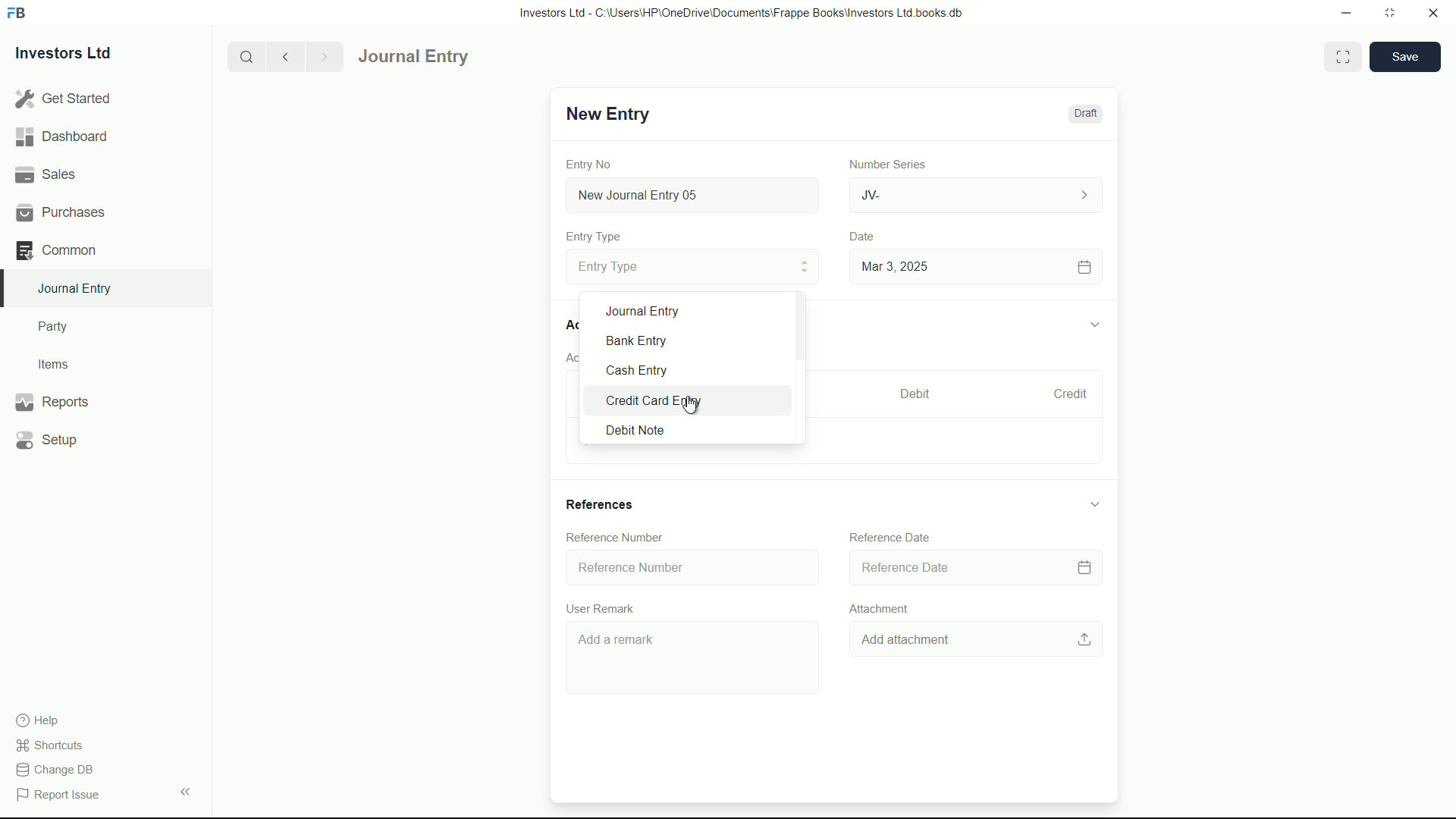  Describe the element at coordinates (1389, 11) in the screenshot. I see `maximize` at that location.